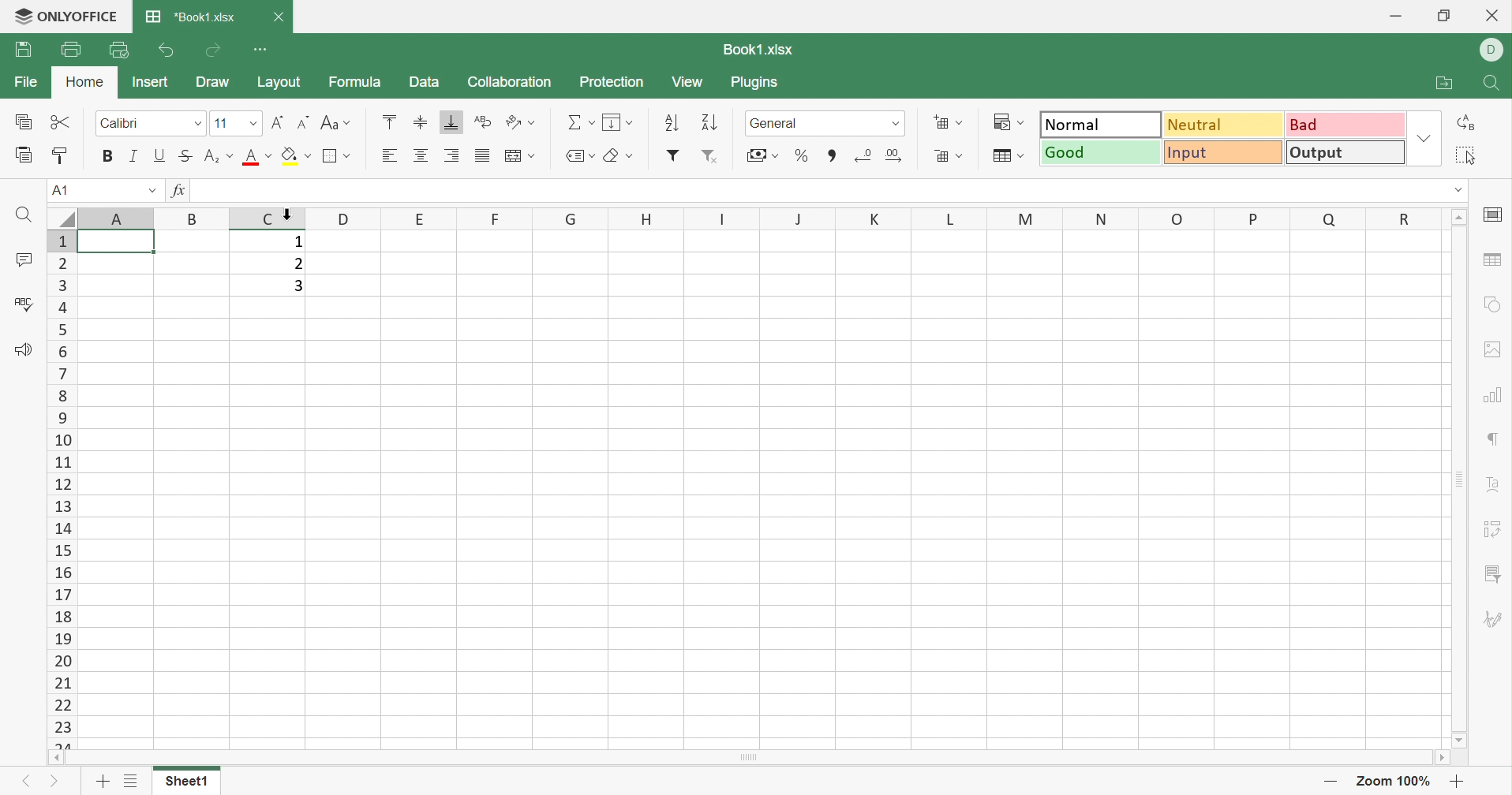 Image resolution: width=1512 pixels, height=795 pixels. Describe the element at coordinates (746, 756) in the screenshot. I see `Horizontal Scroll Bar` at that location.